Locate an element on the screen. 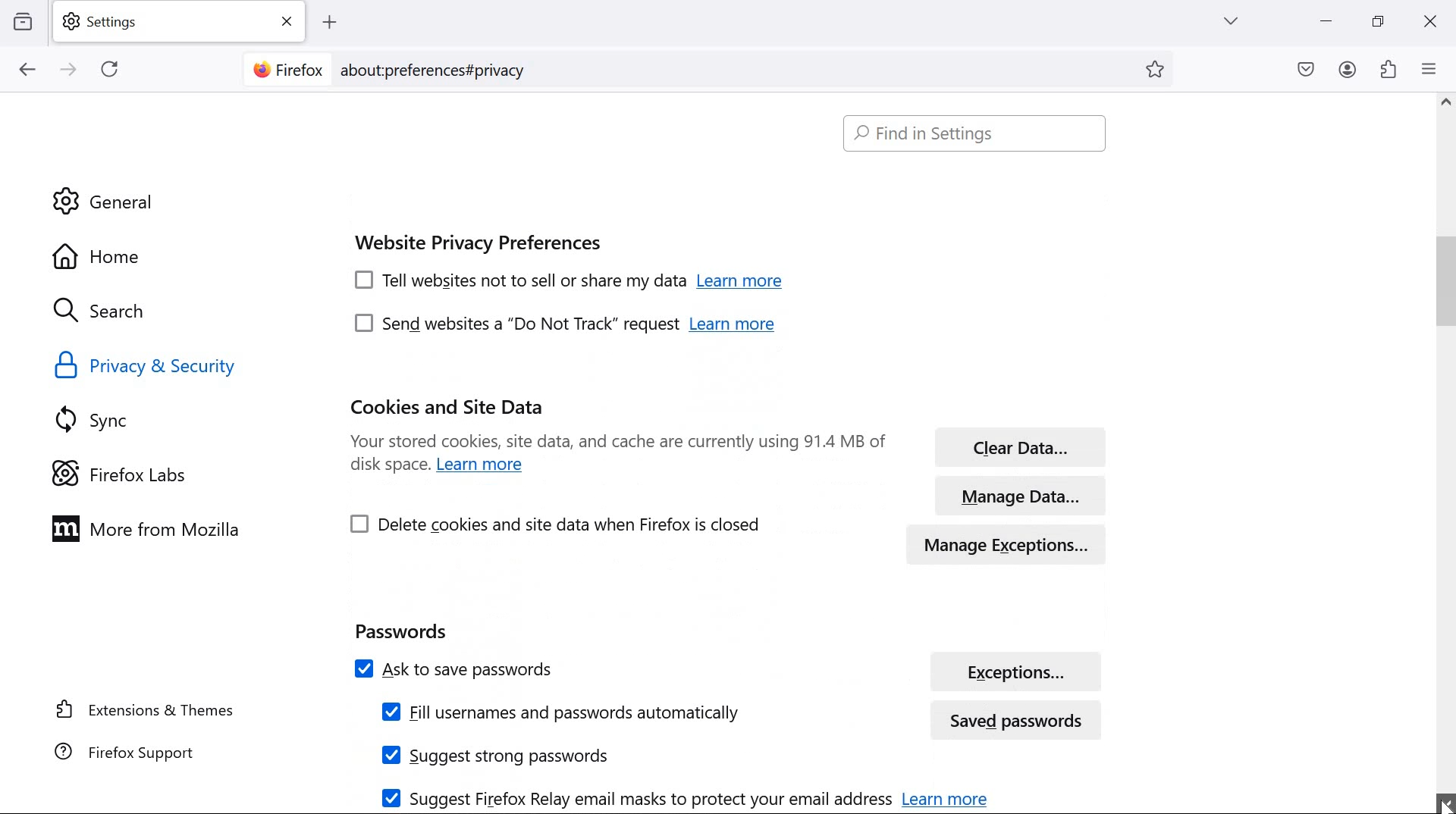 The width and height of the screenshot is (1456, 814). manage exceptions is located at coordinates (1007, 548).